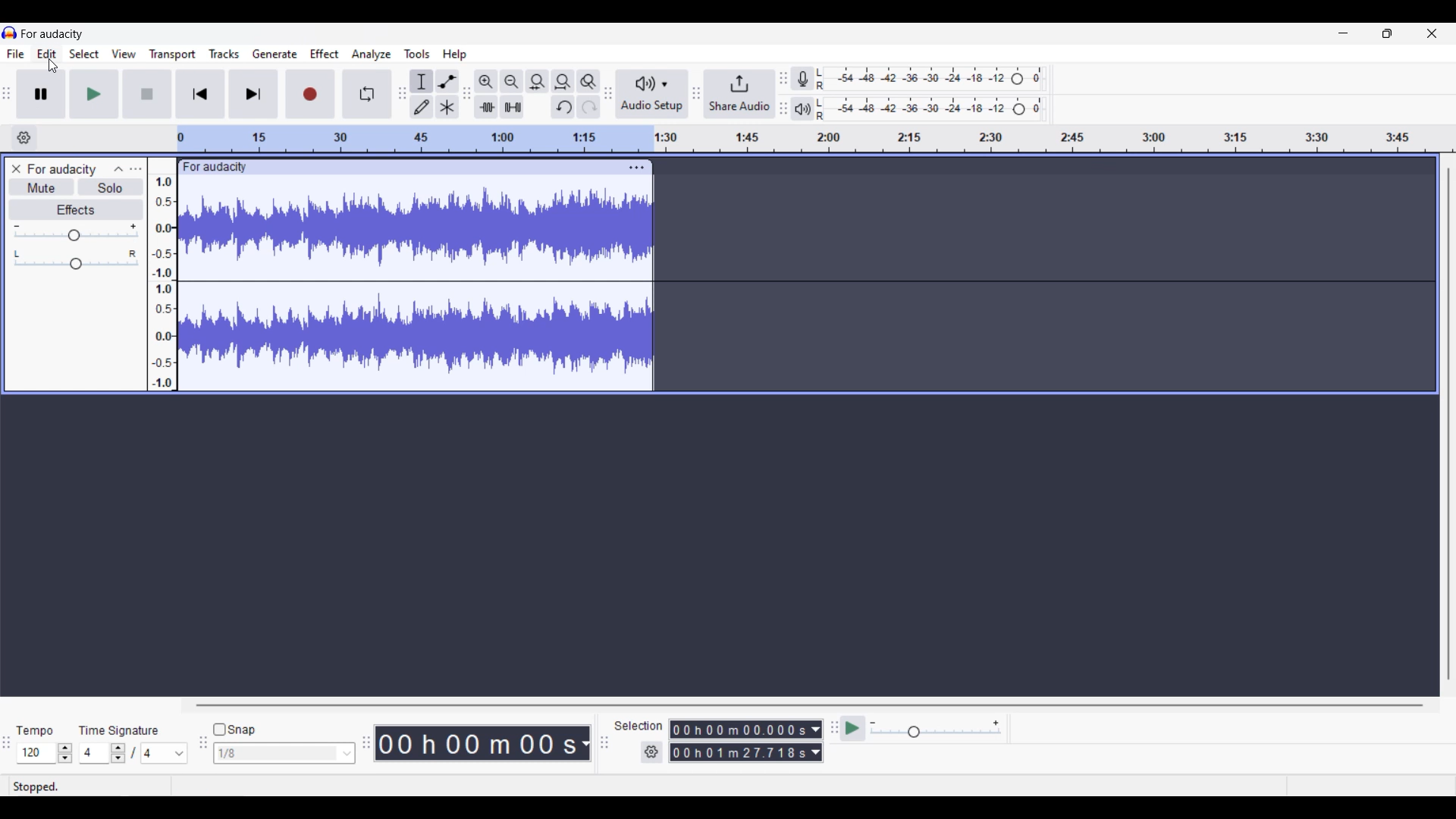  Describe the element at coordinates (136, 168) in the screenshot. I see `Open menu` at that location.